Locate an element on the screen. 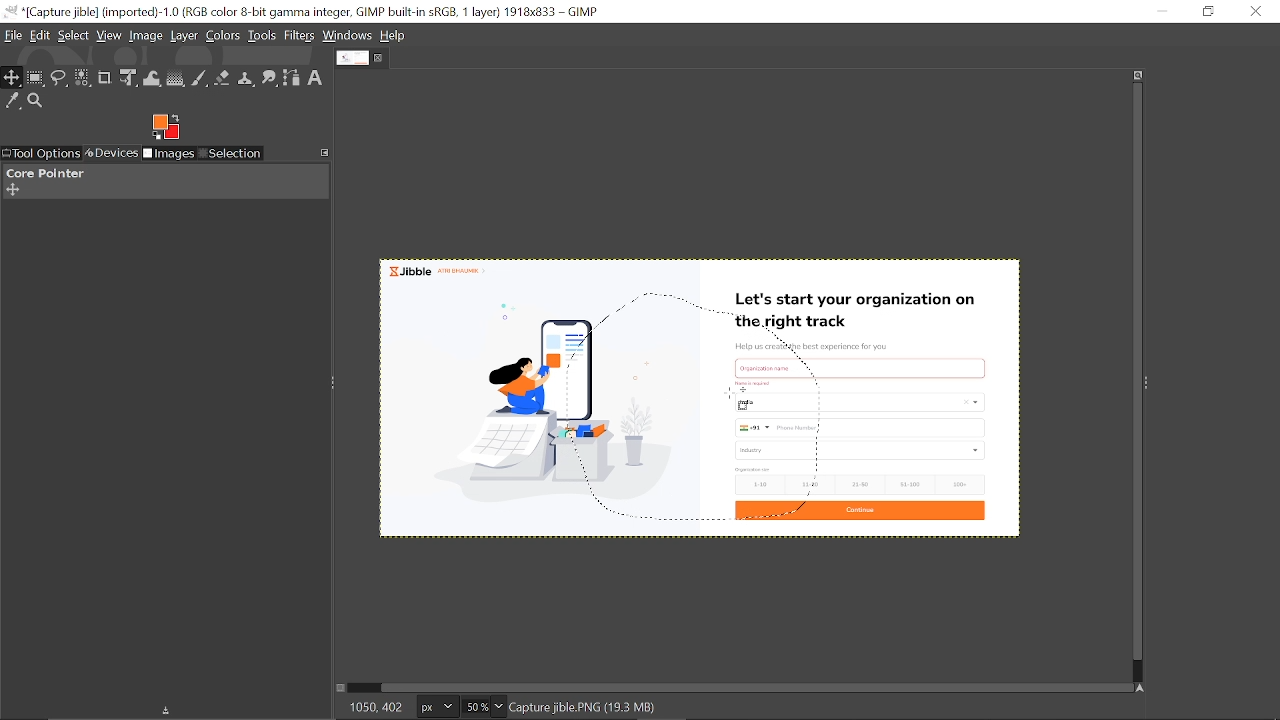 This screenshot has width=1280, height=720. Close tab is located at coordinates (380, 58).